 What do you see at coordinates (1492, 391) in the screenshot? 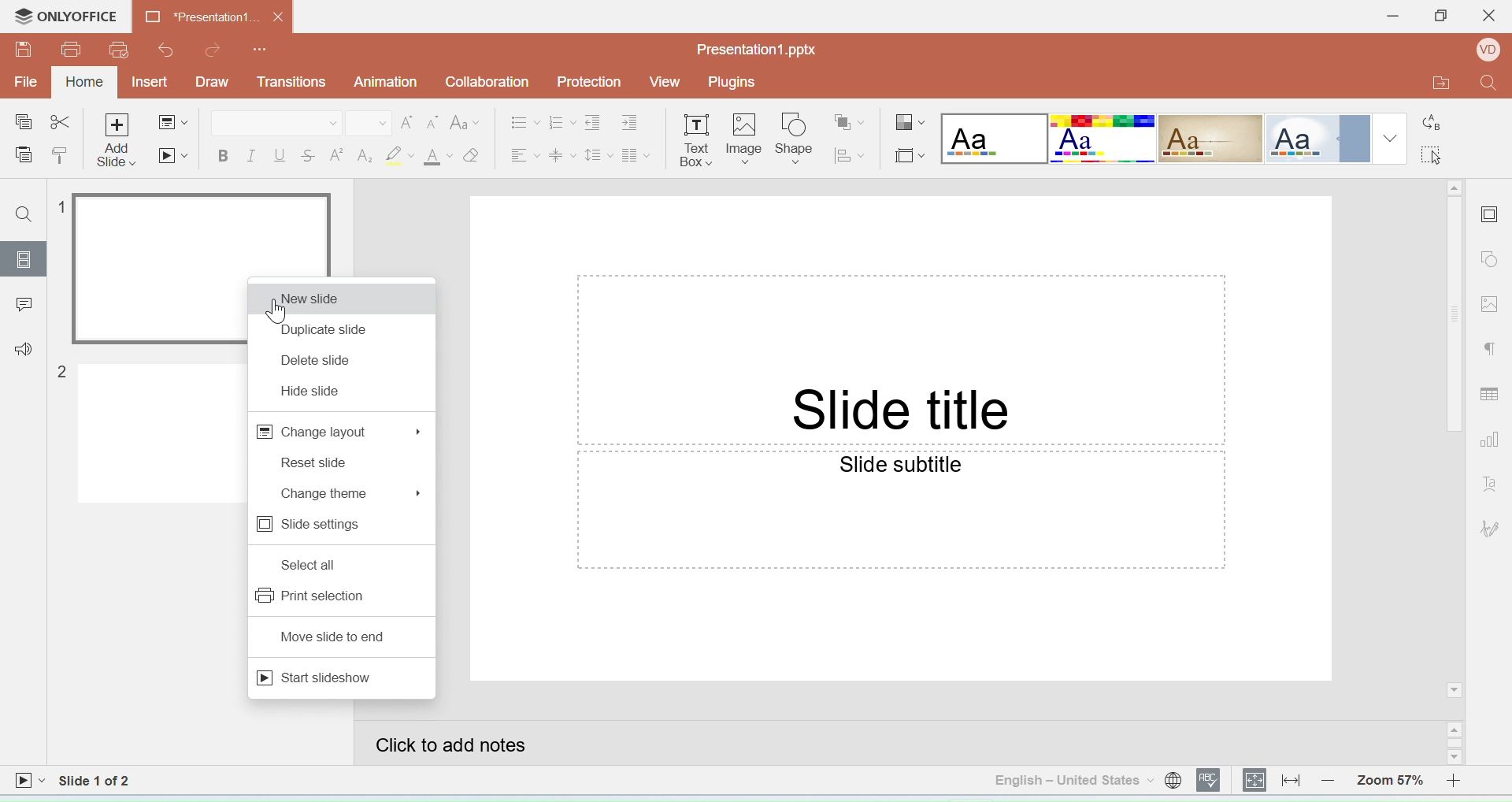
I see `Table settings` at bounding box center [1492, 391].